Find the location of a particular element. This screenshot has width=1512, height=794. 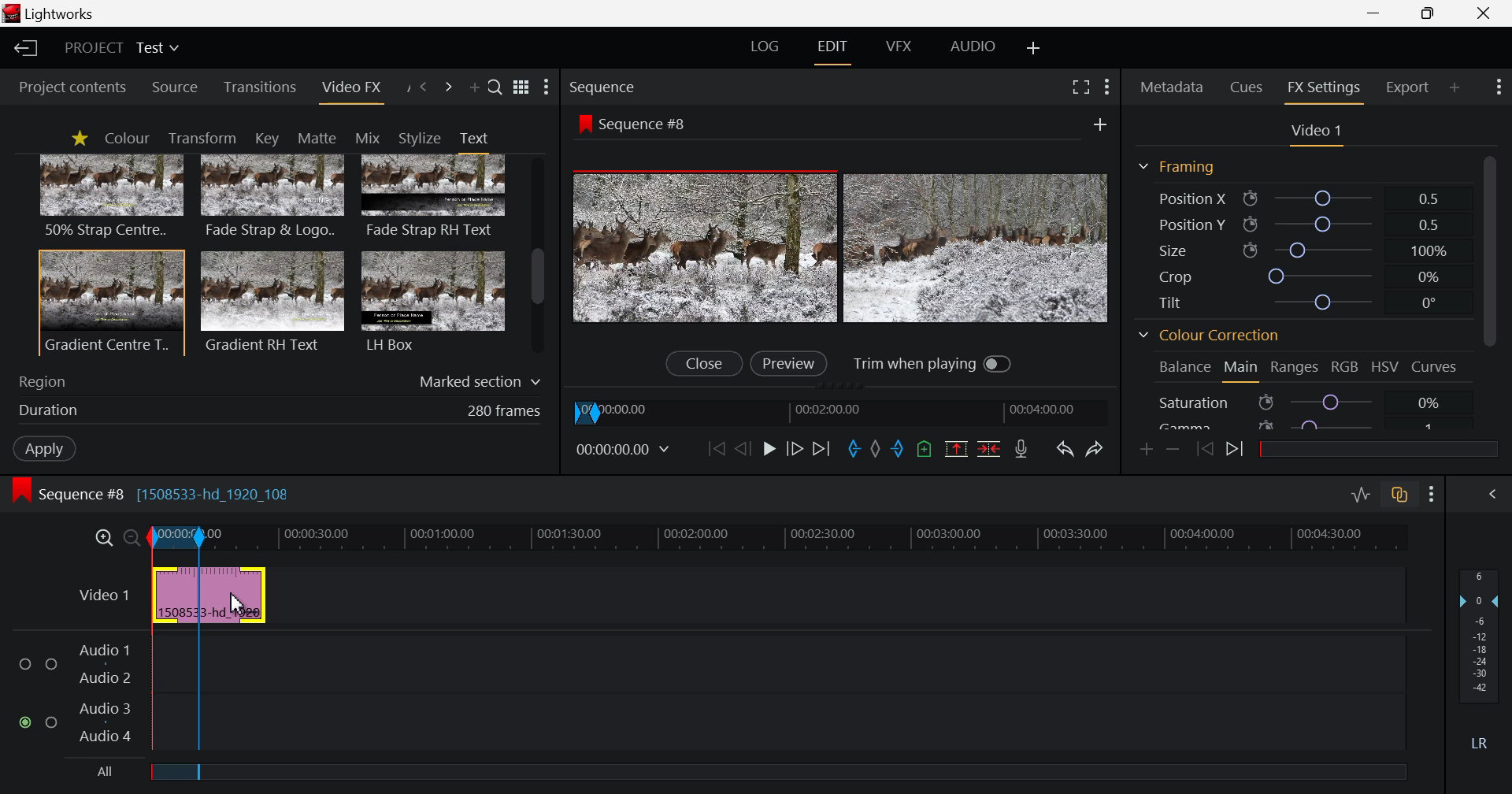

Trim when playing is located at coordinates (933, 363).